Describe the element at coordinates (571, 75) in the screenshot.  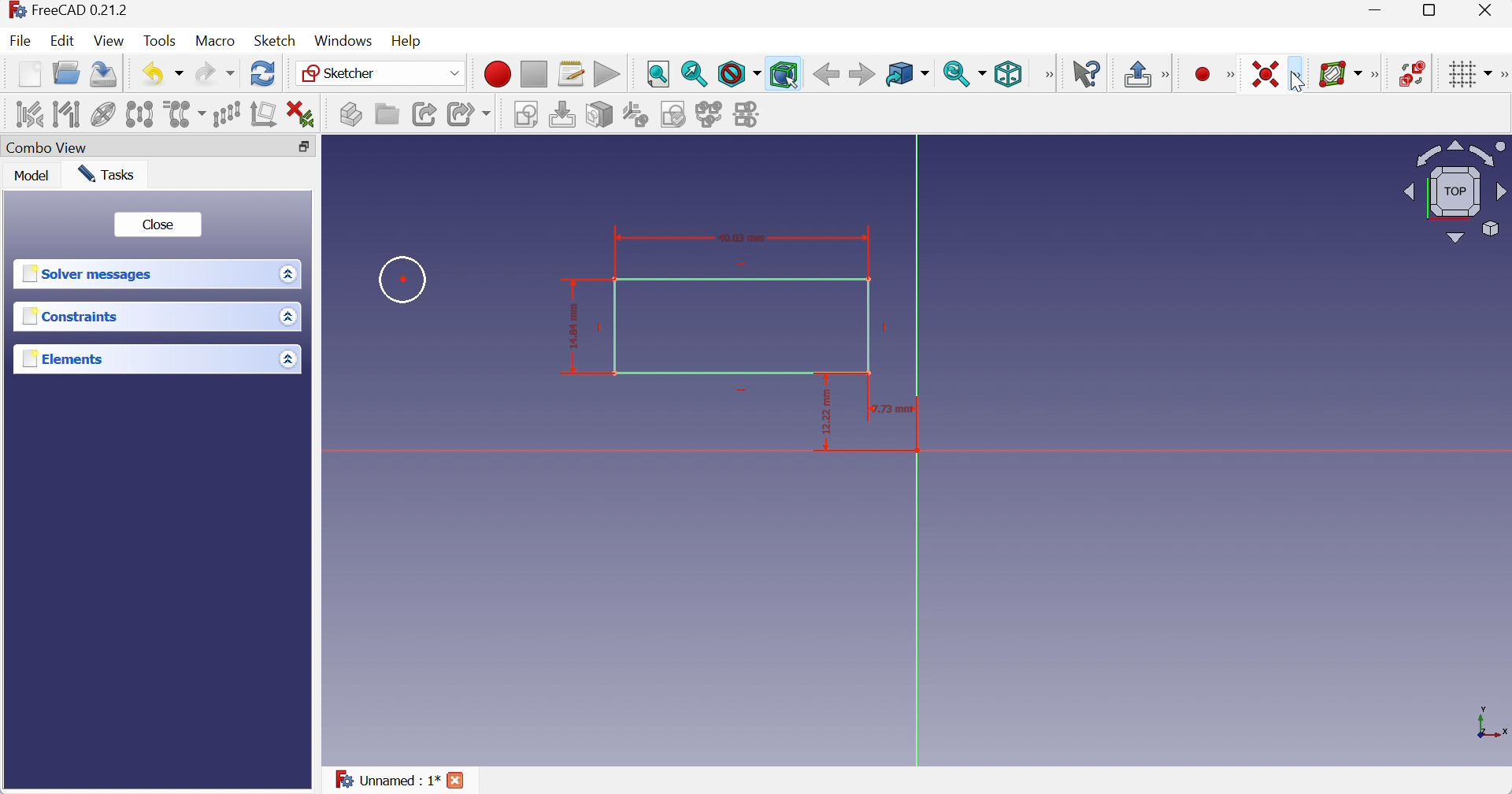
I see `Macros...` at that location.